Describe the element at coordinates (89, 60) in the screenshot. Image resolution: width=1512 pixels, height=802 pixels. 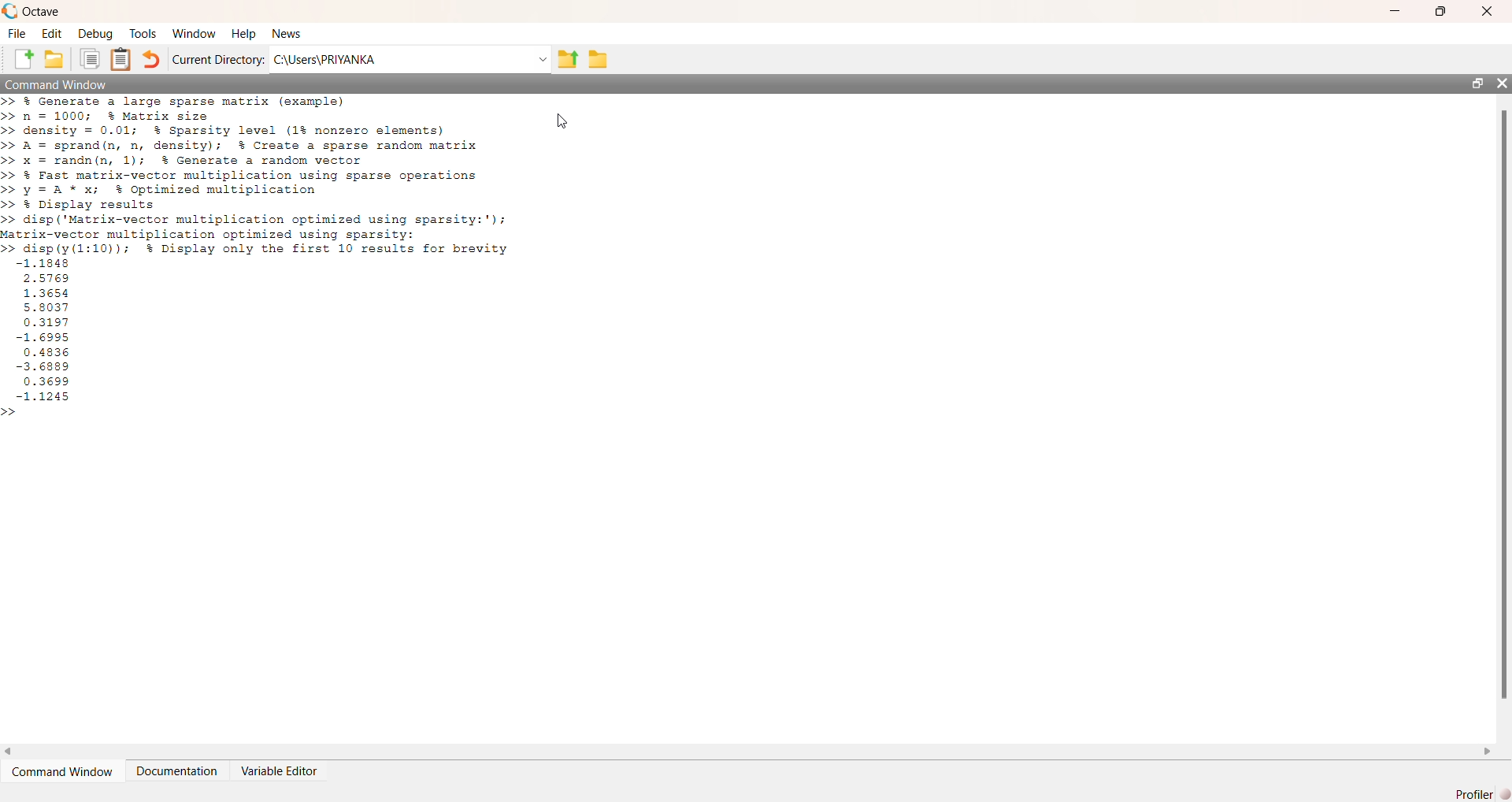
I see `copy` at that location.